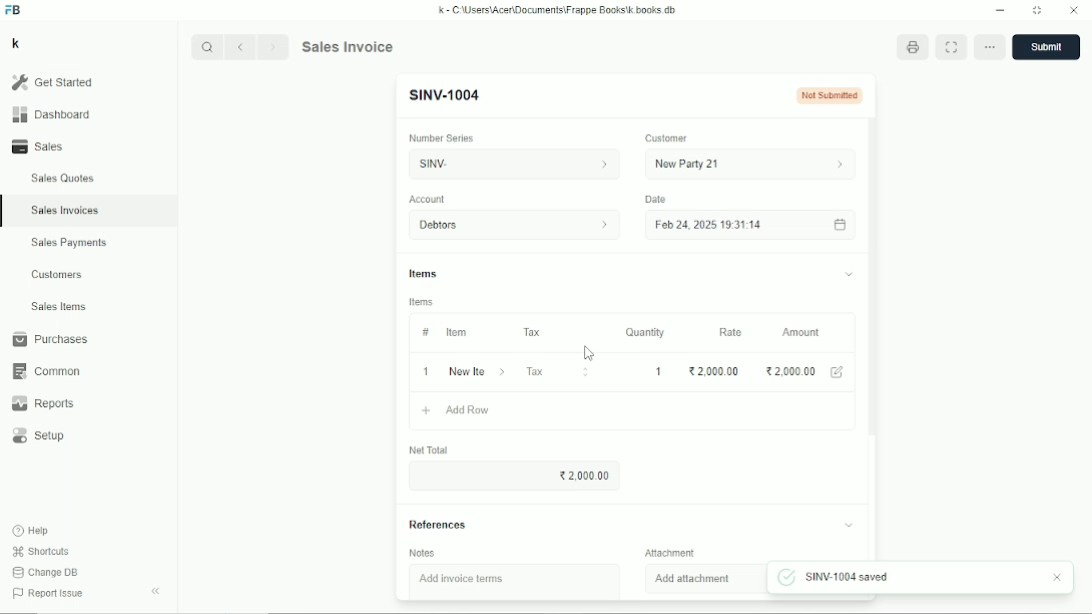 The height and width of the screenshot is (614, 1092). Describe the element at coordinates (661, 371) in the screenshot. I see `1` at that location.